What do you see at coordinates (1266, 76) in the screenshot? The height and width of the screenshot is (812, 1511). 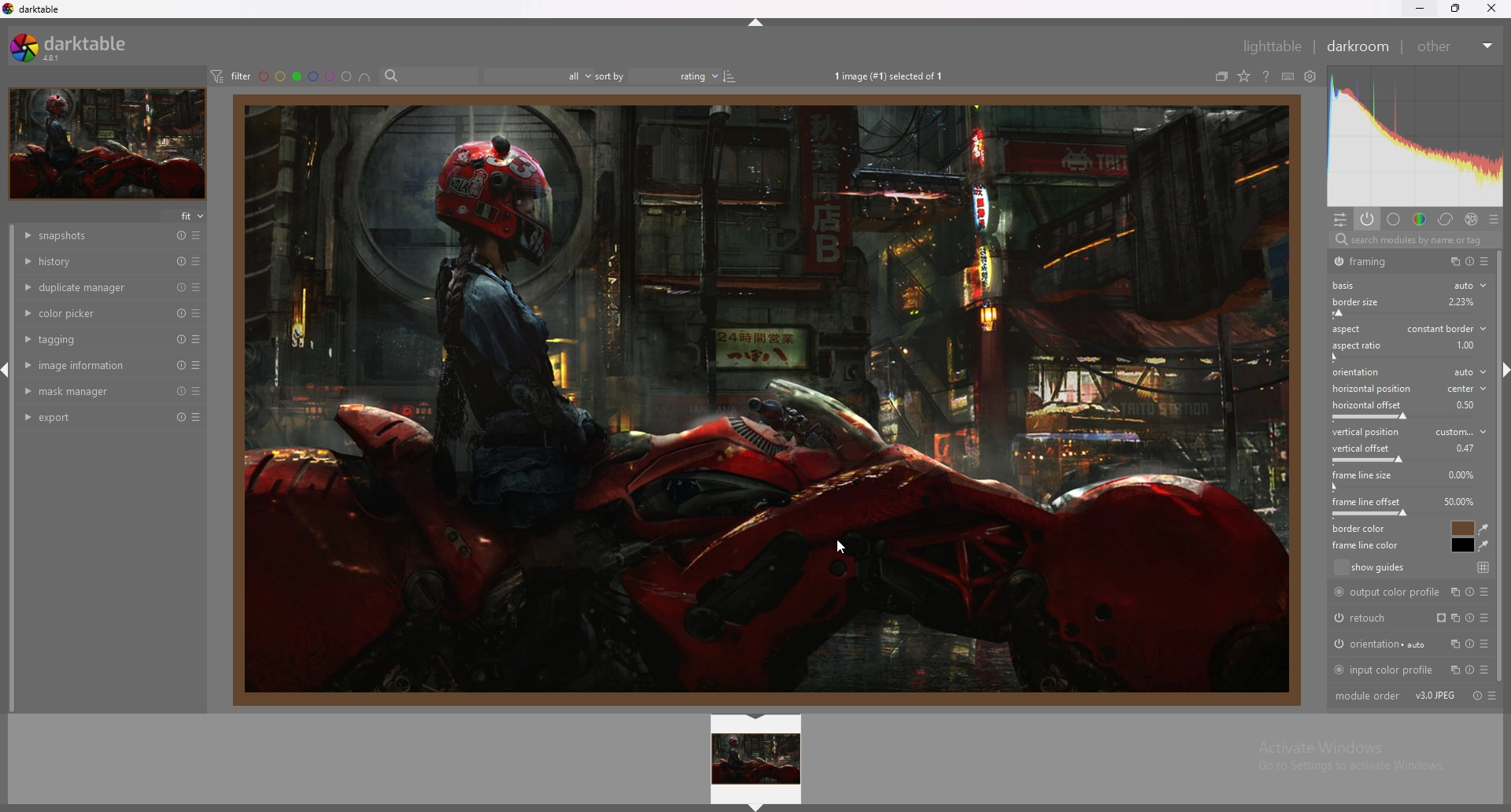 I see `see online help` at bounding box center [1266, 76].